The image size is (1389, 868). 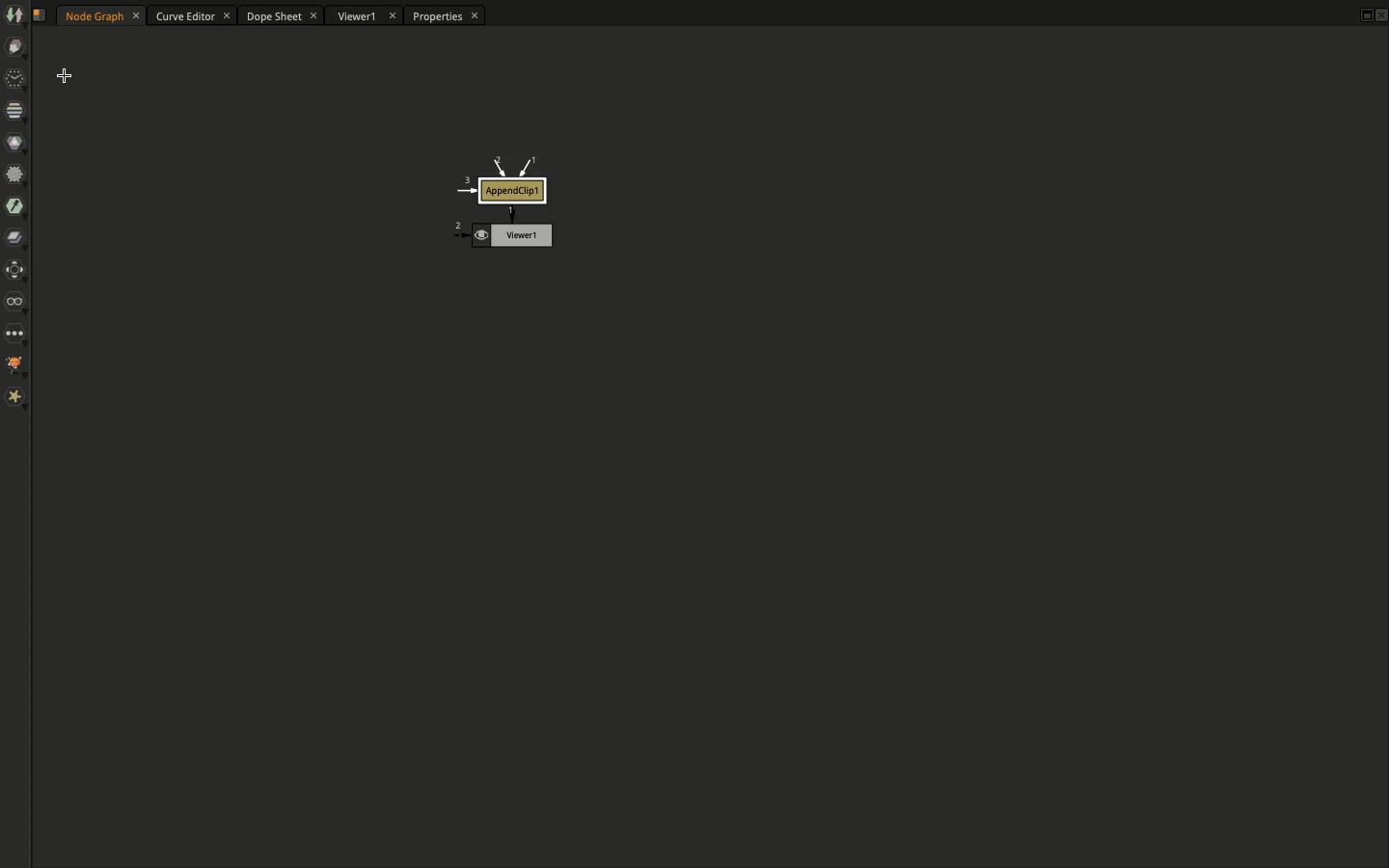 I want to click on AppendClip1 node, so click(x=506, y=180).